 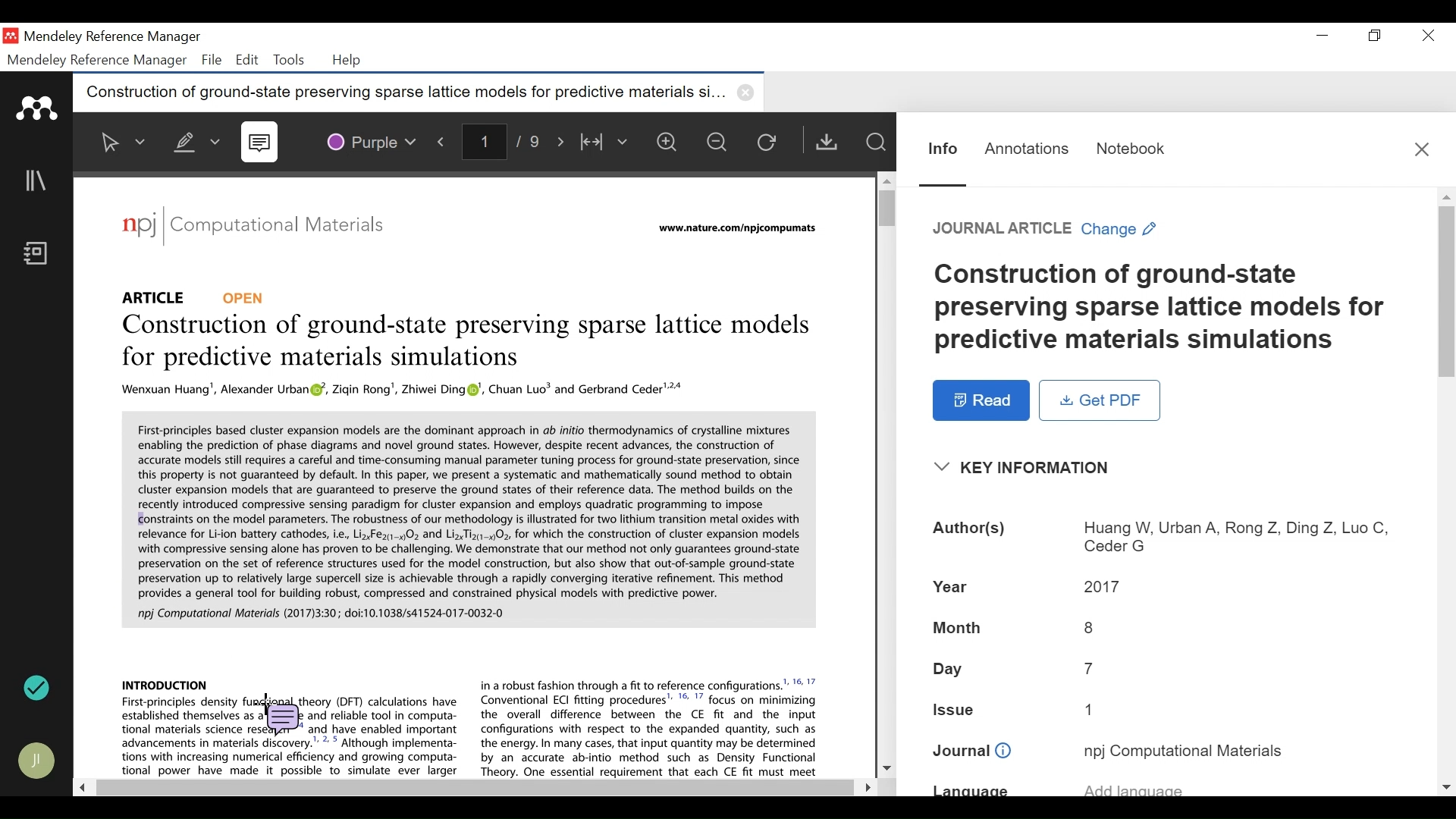 What do you see at coordinates (419, 93) in the screenshot?
I see `Current Tab` at bounding box center [419, 93].